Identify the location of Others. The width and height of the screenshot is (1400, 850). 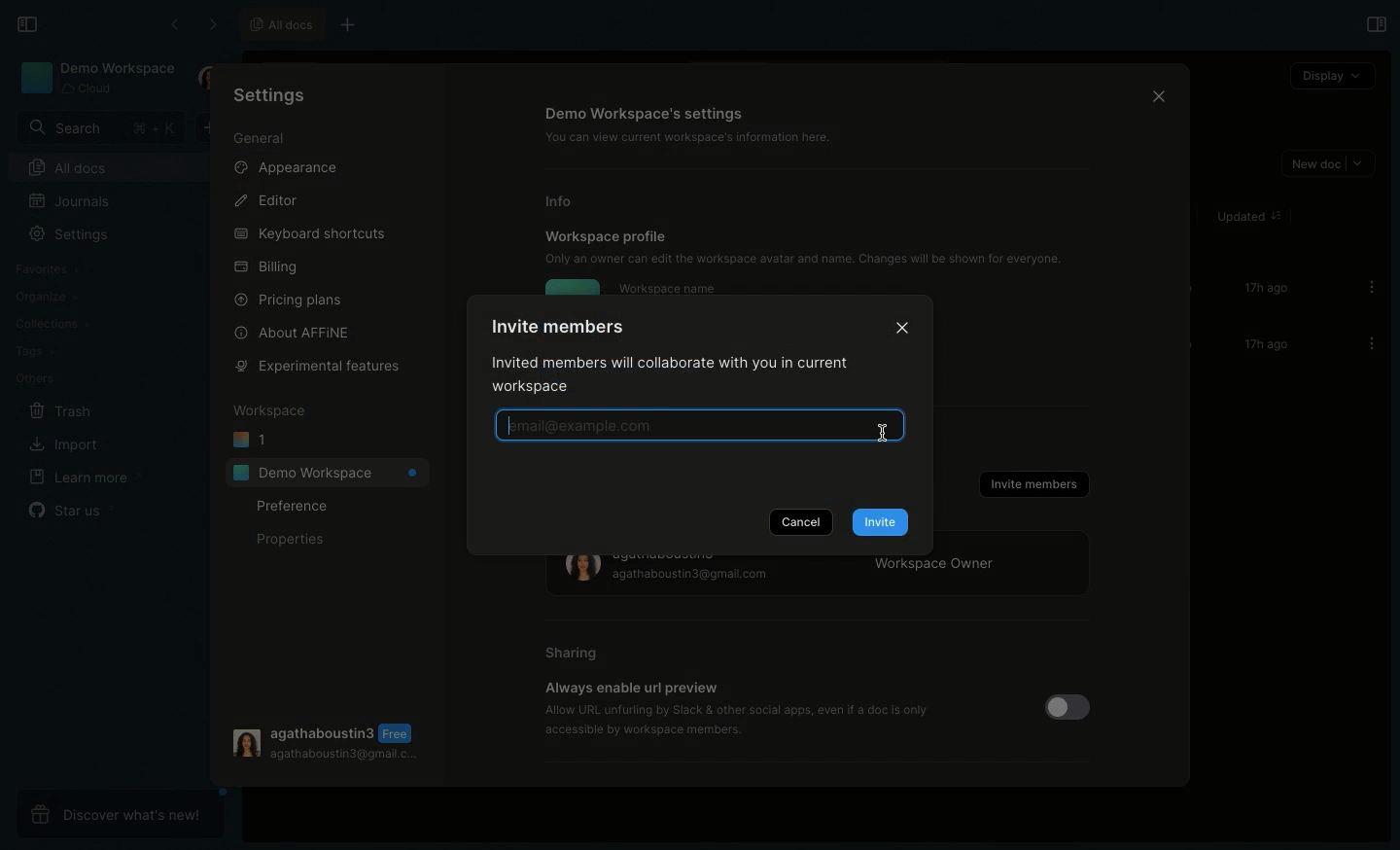
(33, 377).